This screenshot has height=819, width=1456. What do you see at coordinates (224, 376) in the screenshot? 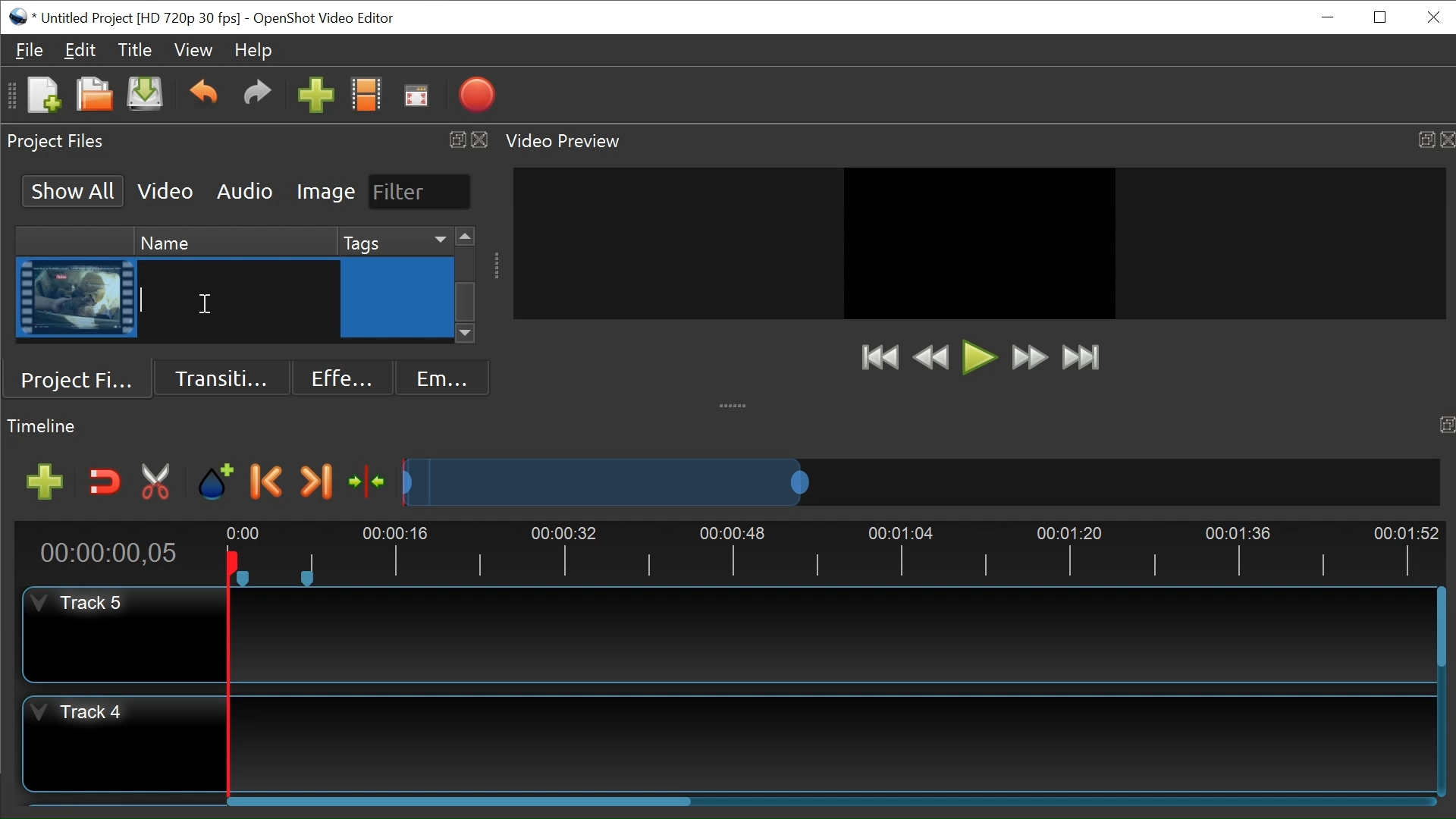
I see `Transition` at bounding box center [224, 376].